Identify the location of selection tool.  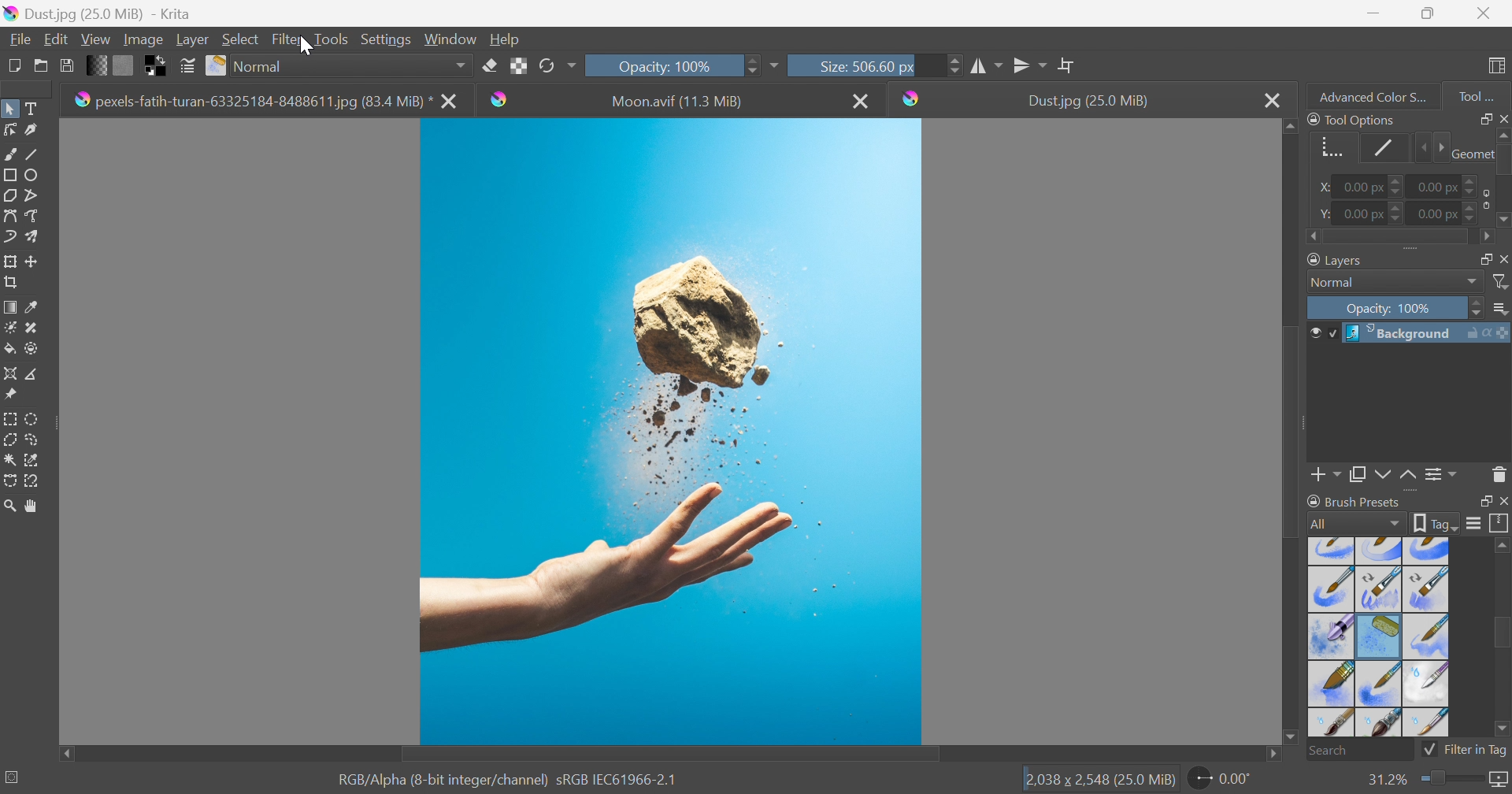
(9, 483).